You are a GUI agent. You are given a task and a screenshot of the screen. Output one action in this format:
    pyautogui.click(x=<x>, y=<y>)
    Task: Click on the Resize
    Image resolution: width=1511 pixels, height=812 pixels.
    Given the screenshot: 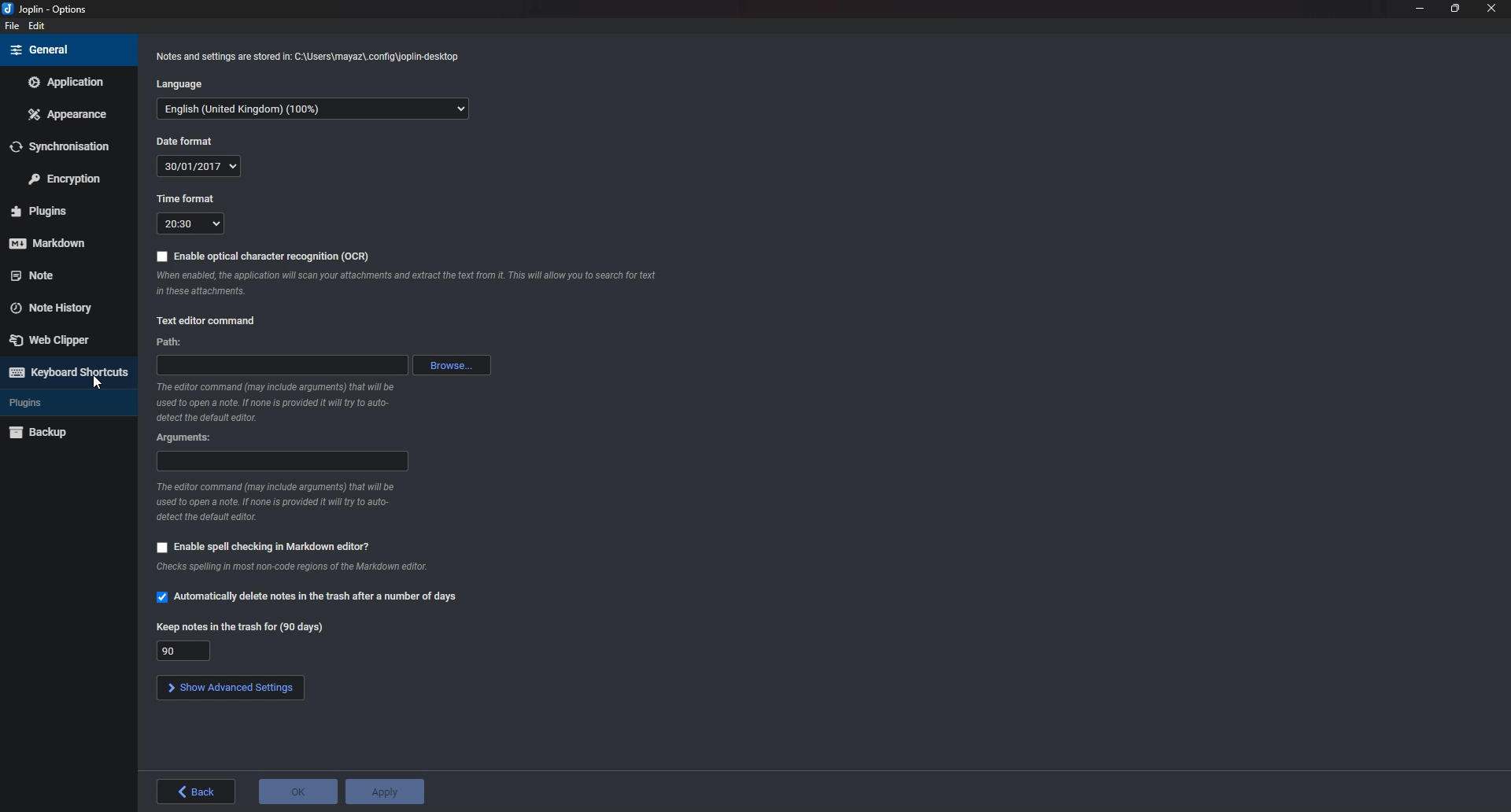 What is the action you would take?
    pyautogui.click(x=1455, y=8)
    